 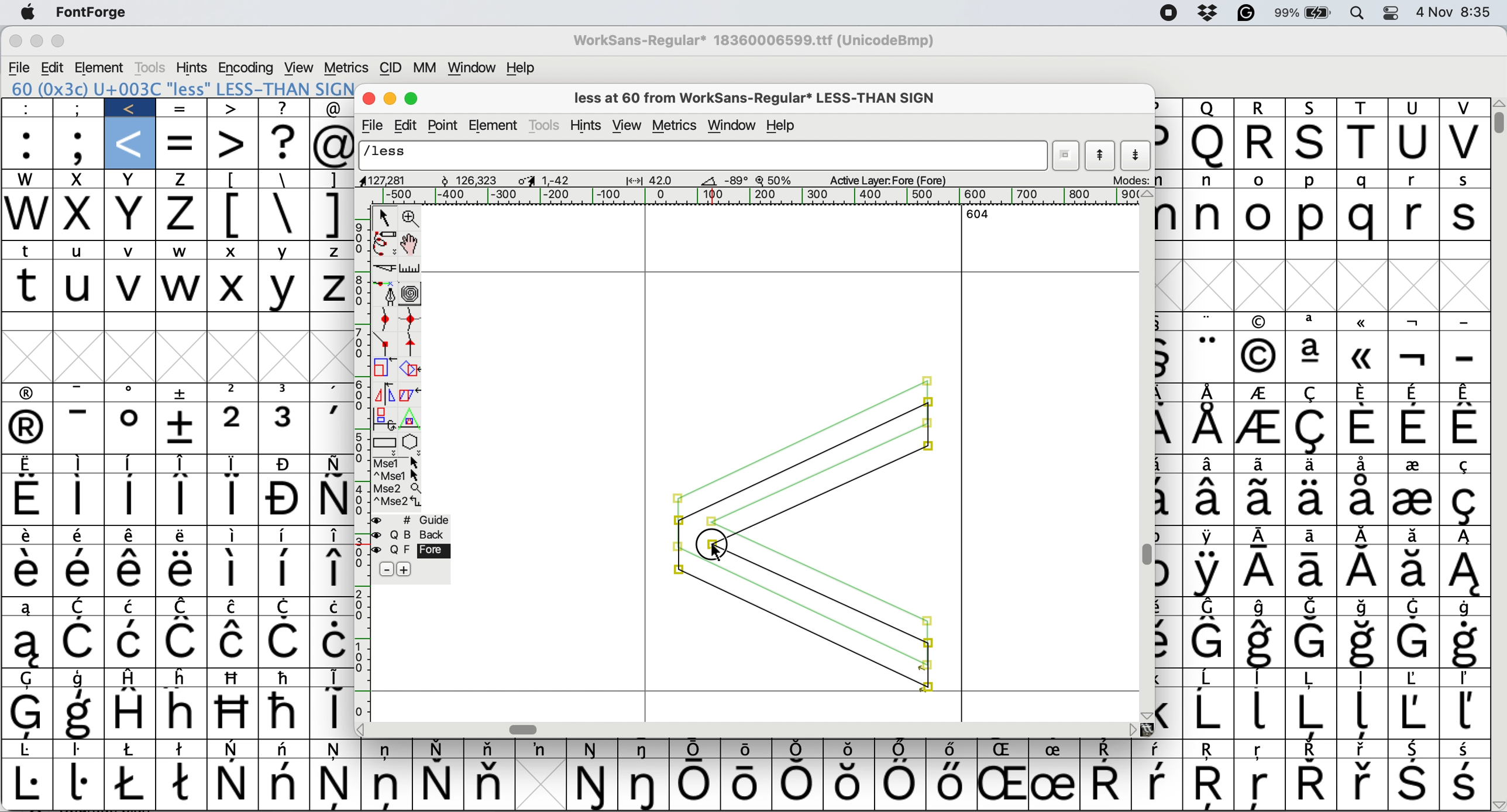 What do you see at coordinates (1465, 357) in the screenshot?
I see `-` at bounding box center [1465, 357].